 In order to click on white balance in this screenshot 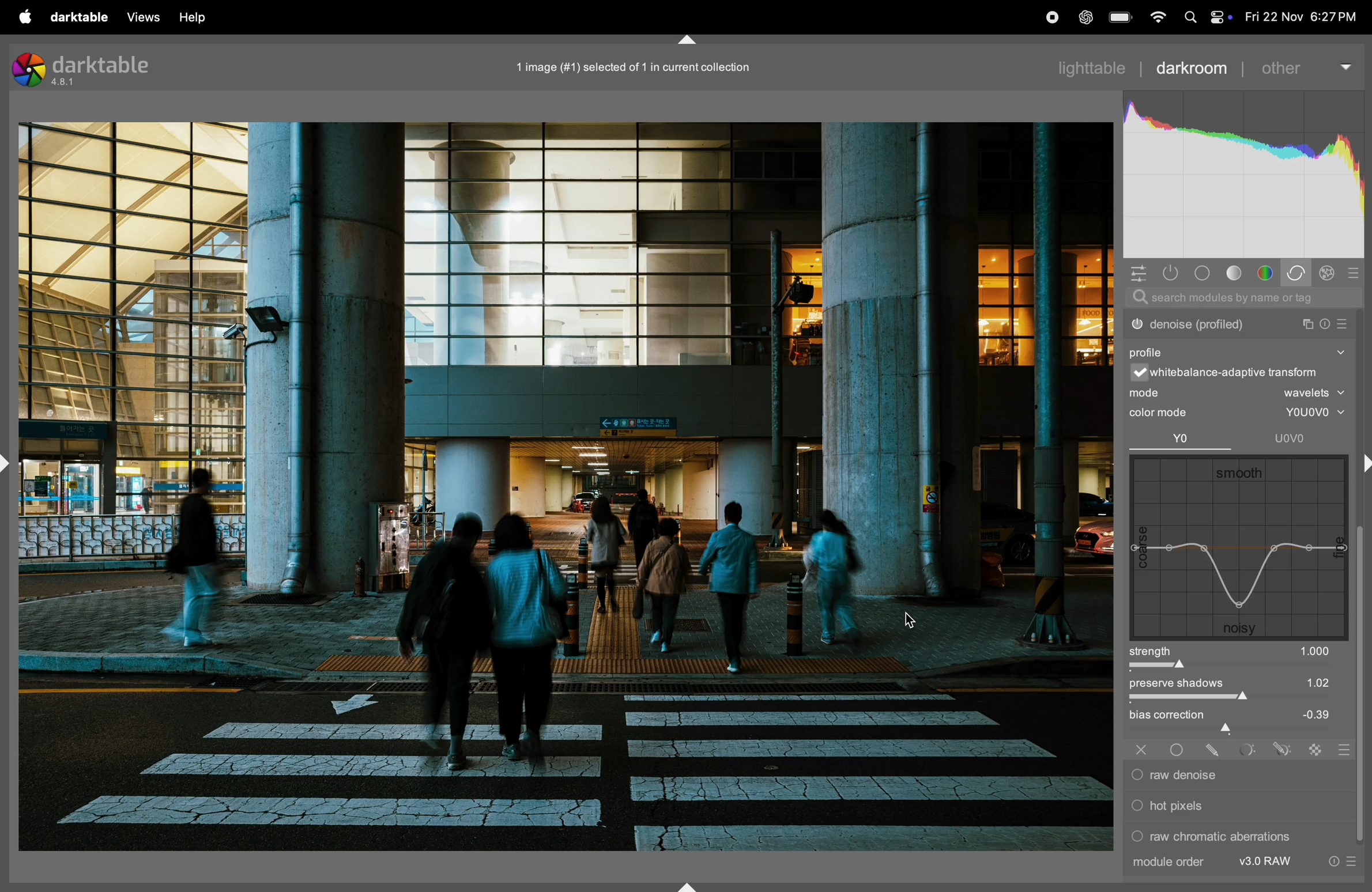, I will do `click(1226, 373)`.